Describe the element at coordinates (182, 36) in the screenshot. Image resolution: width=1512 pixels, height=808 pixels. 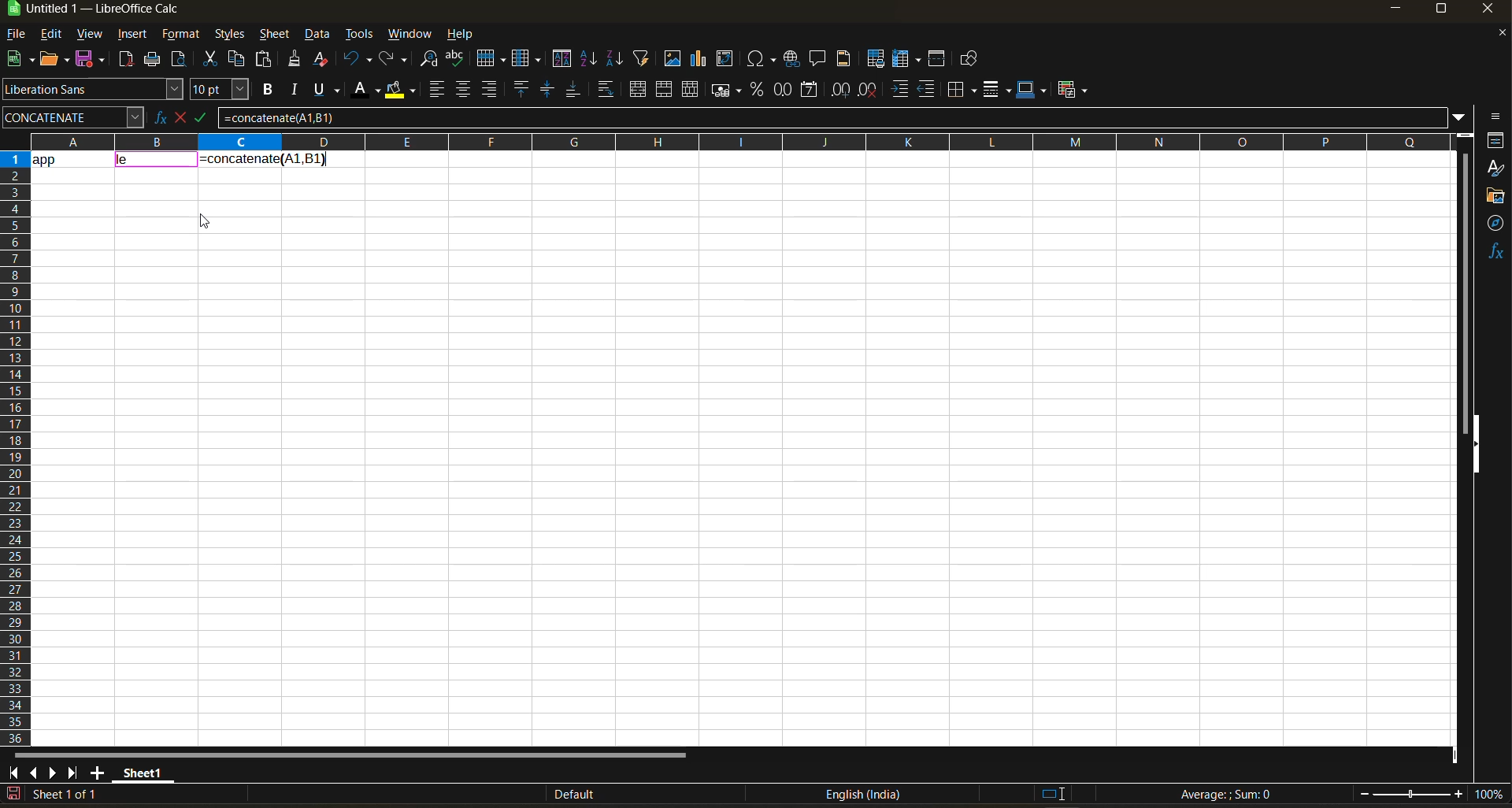
I see `format` at that location.